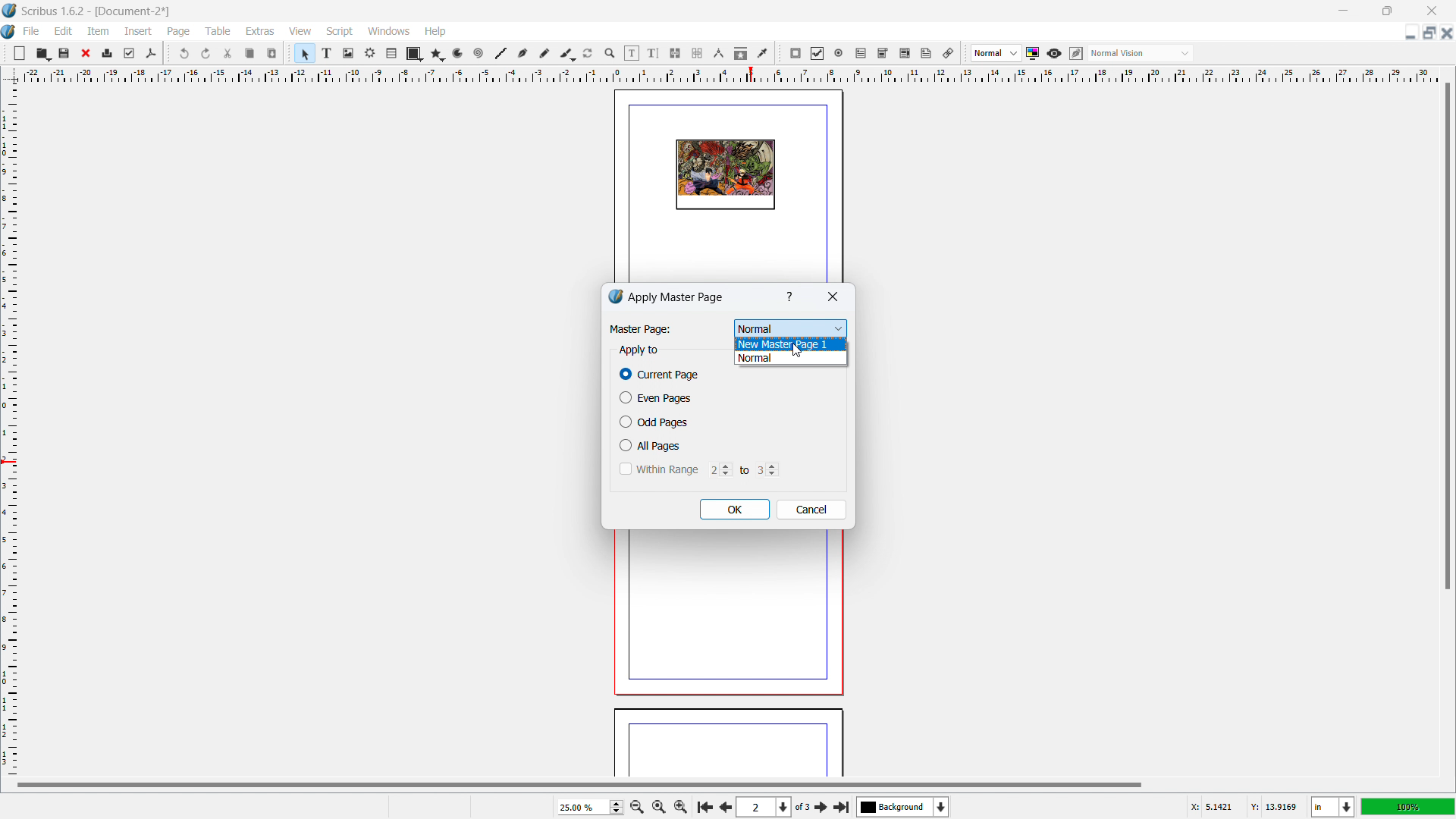  I want to click on pdf text field, so click(861, 54).